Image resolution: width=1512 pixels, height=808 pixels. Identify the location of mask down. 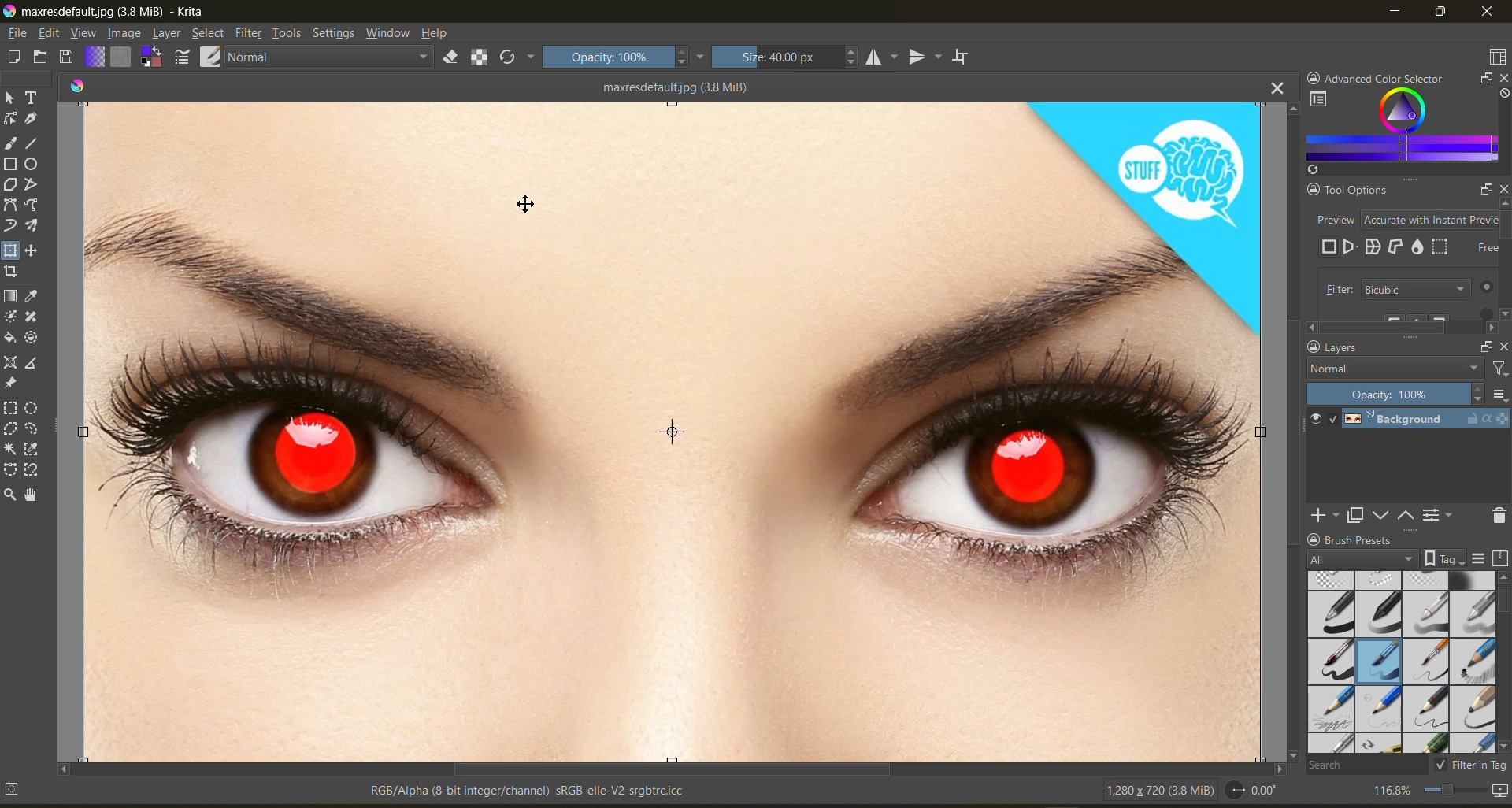
(1379, 516).